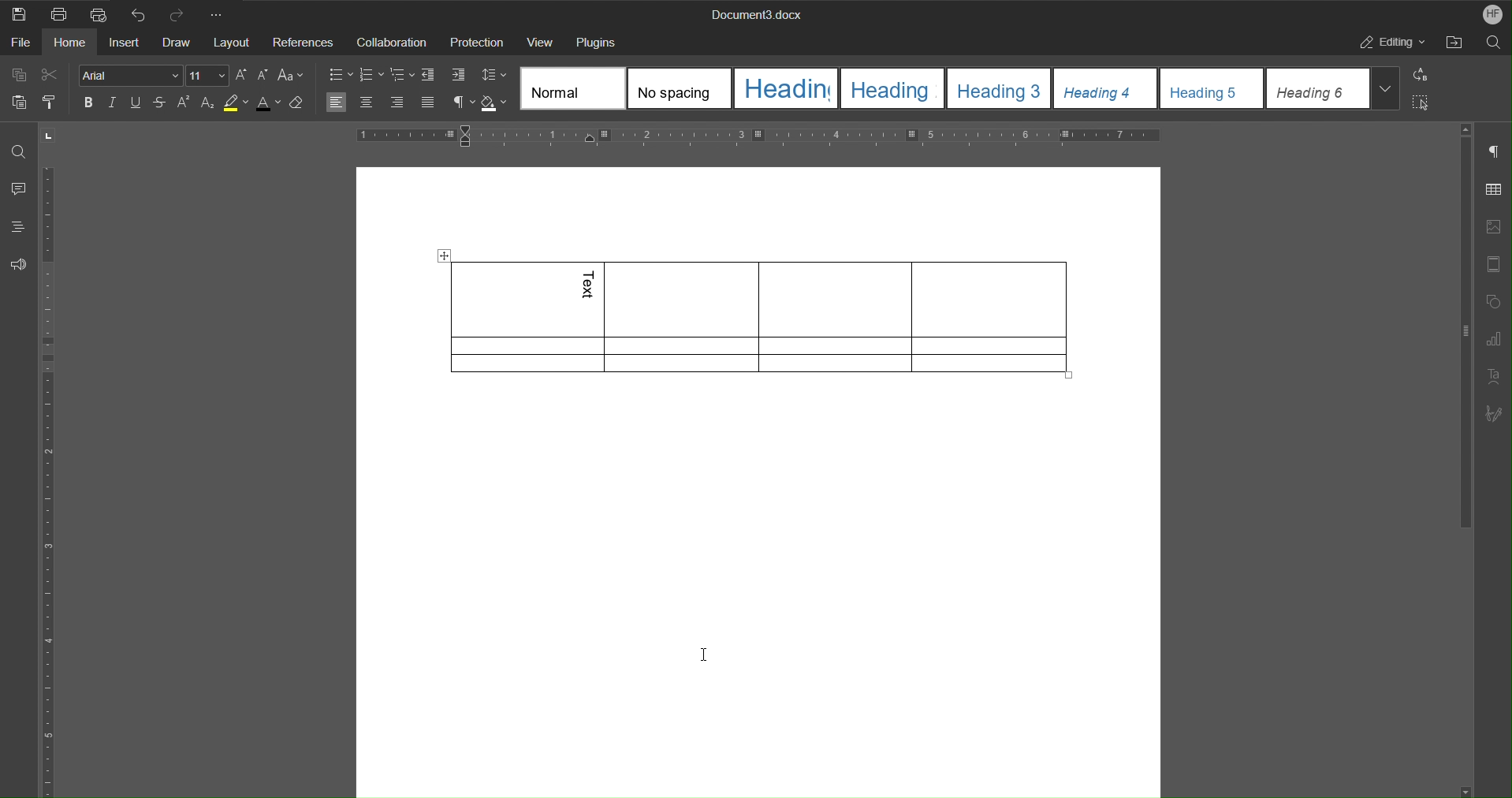 This screenshot has height=798, width=1512. I want to click on Superscript, so click(181, 102).